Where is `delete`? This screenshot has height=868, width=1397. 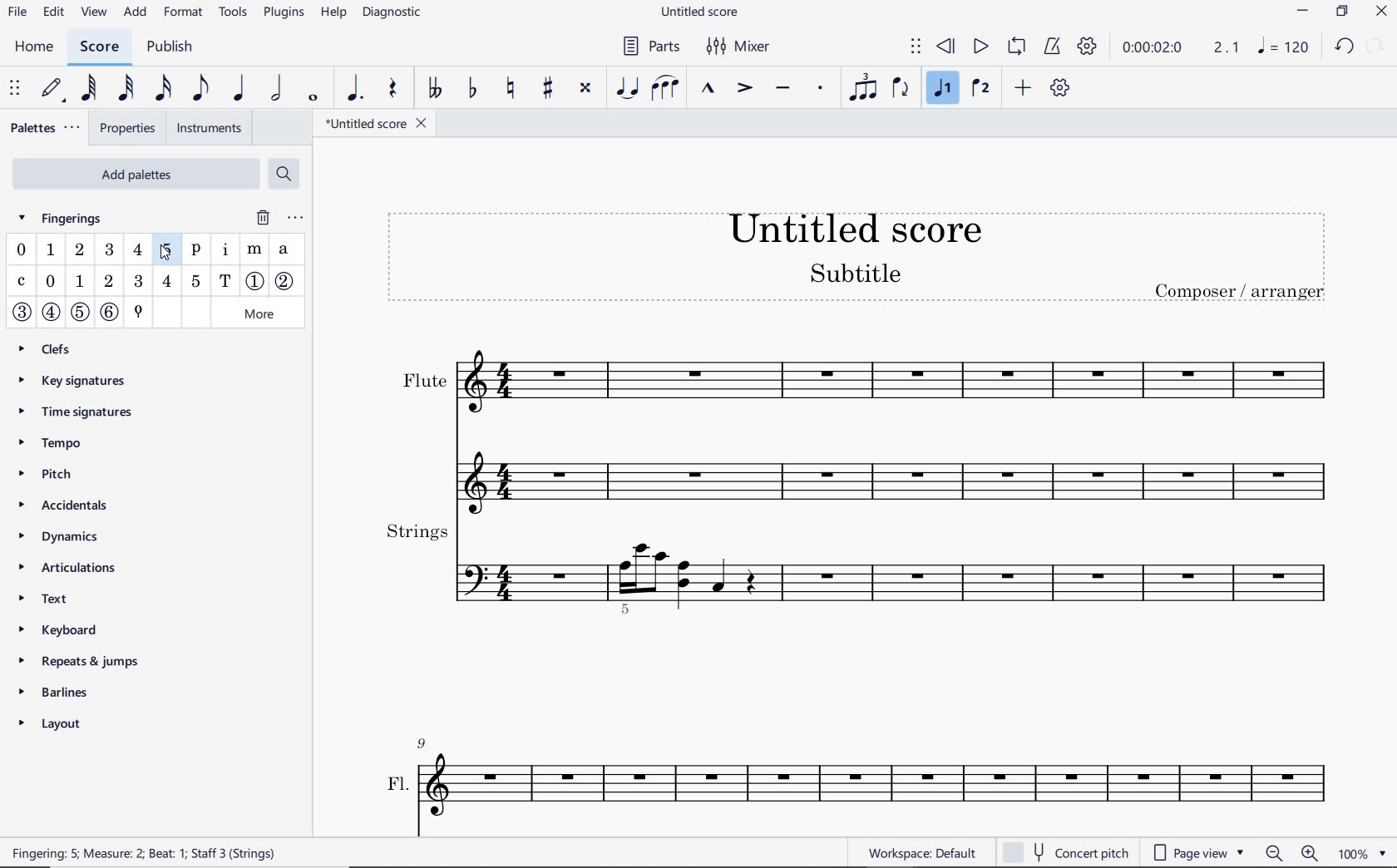
delete is located at coordinates (259, 217).